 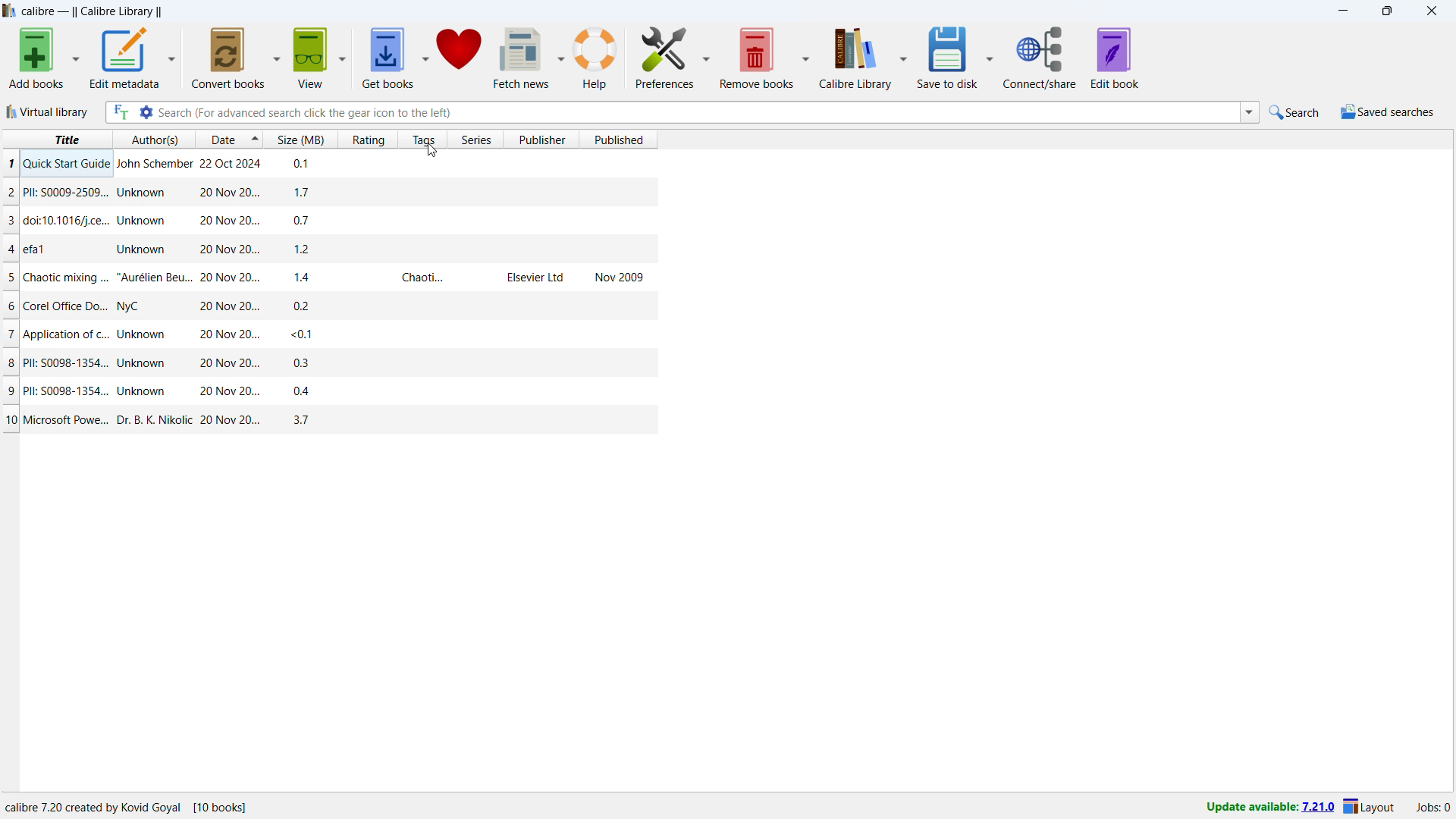 I want to click on virtual library, so click(x=48, y=111).